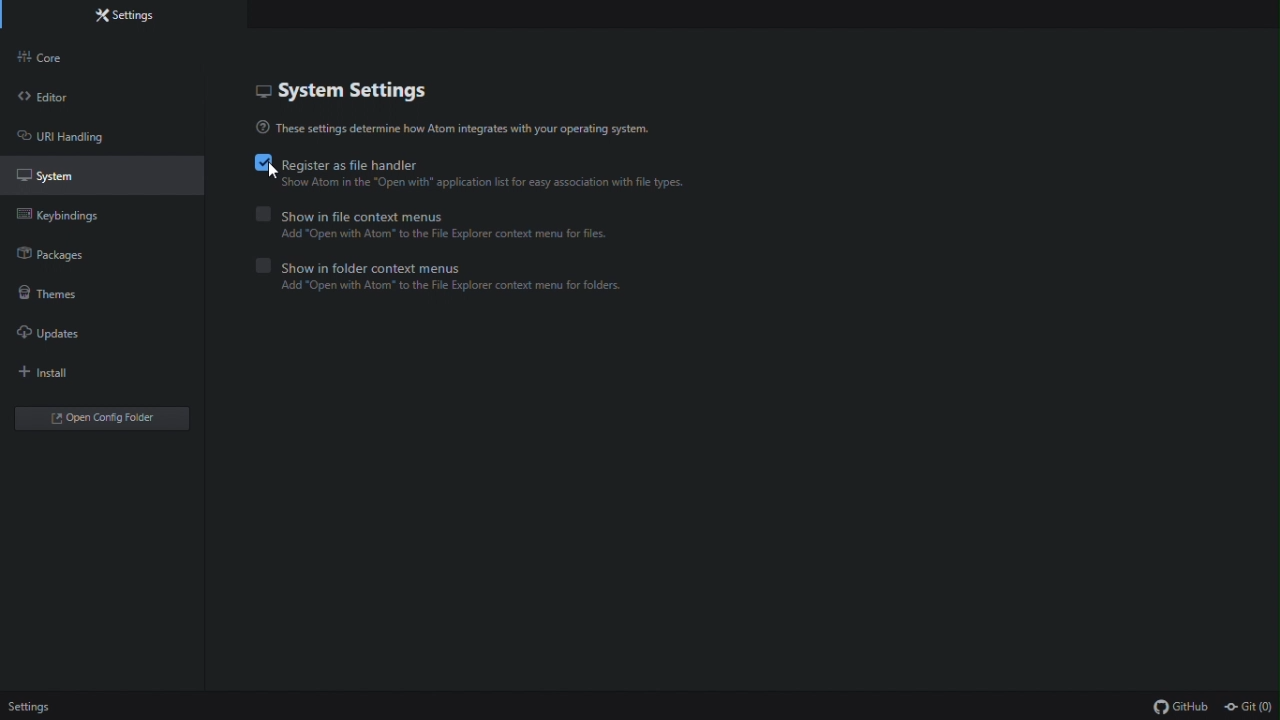 This screenshot has width=1280, height=720. What do you see at coordinates (105, 419) in the screenshot?
I see `Open folder` at bounding box center [105, 419].